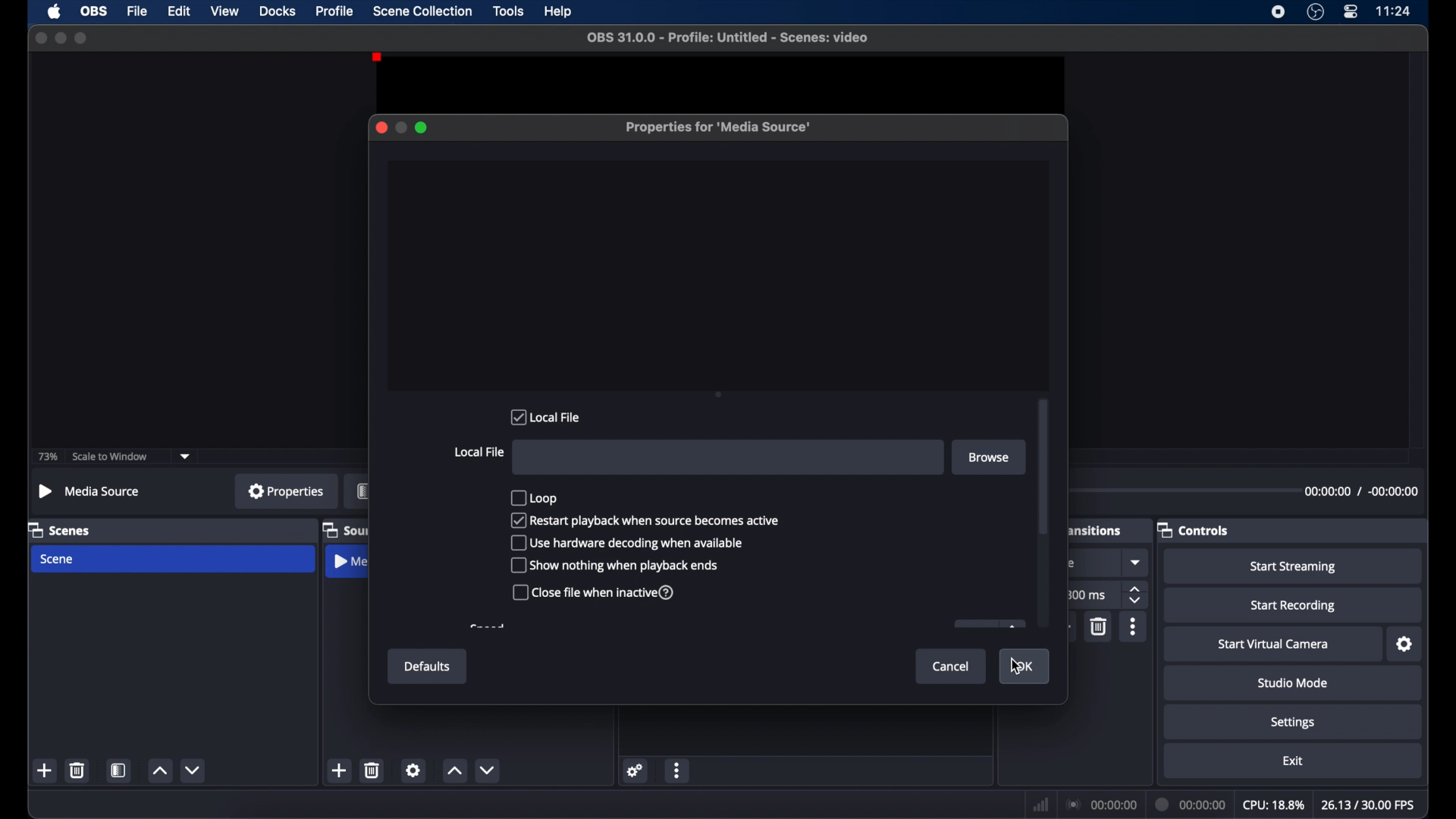 This screenshot has width=1456, height=819. What do you see at coordinates (278, 11) in the screenshot?
I see `docks` at bounding box center [278, 11].